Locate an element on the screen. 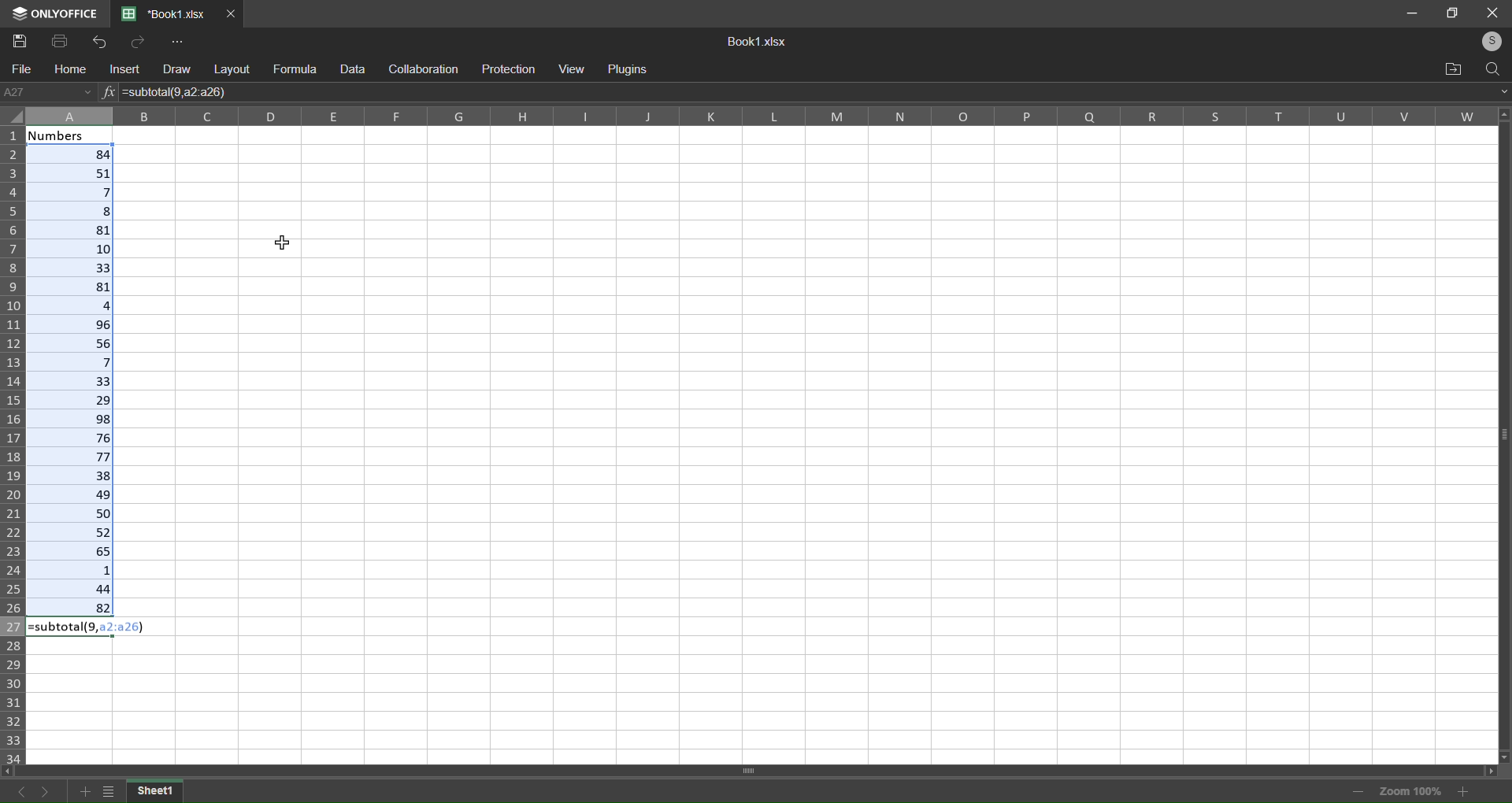 The width and height of the screenshot is (1512, 803). minimize is located at coordinates (1409, 12).